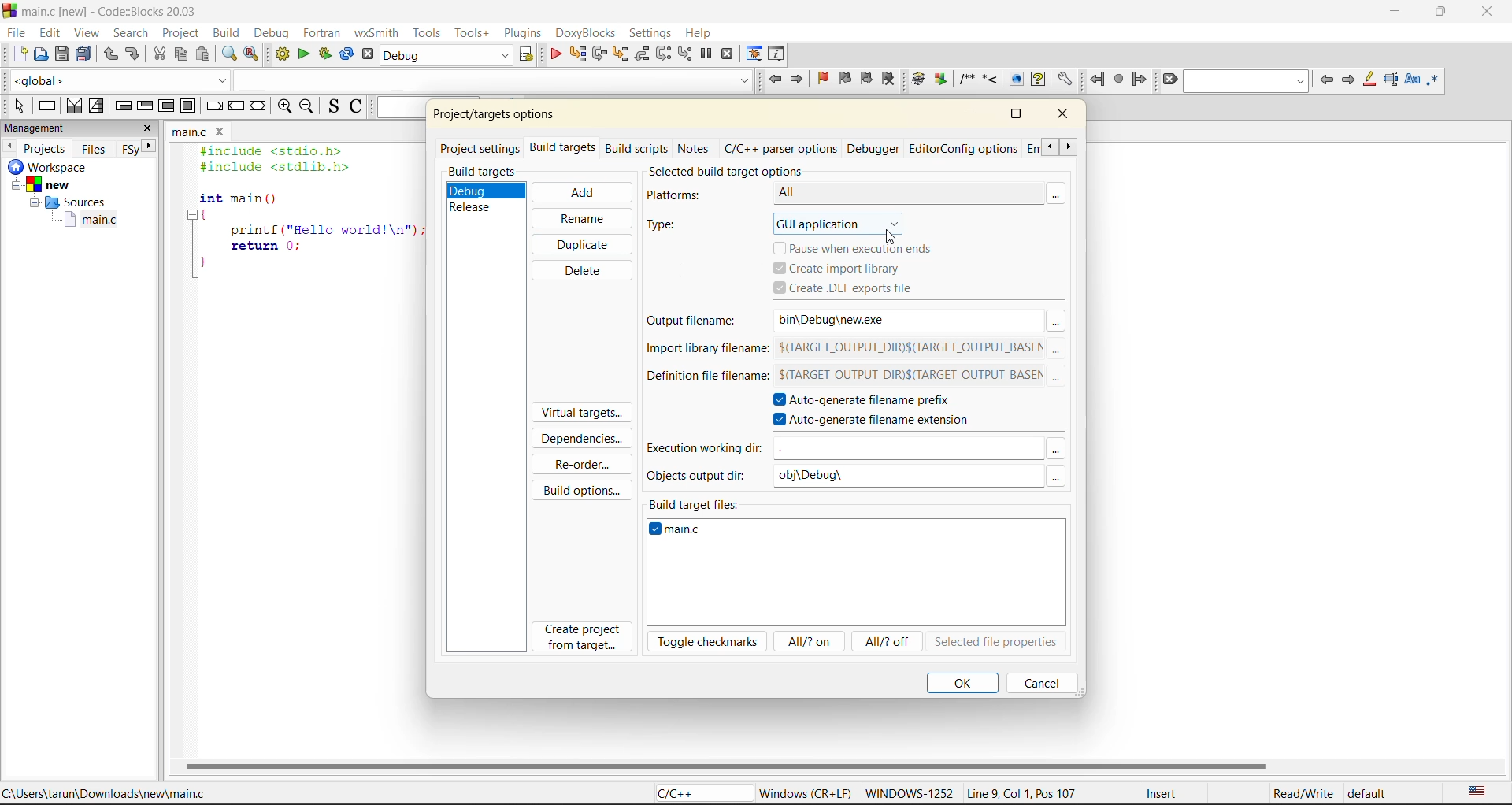 This screenshot has height=805, width=1512. I want to click on doxyblocks, so click(584, 33).